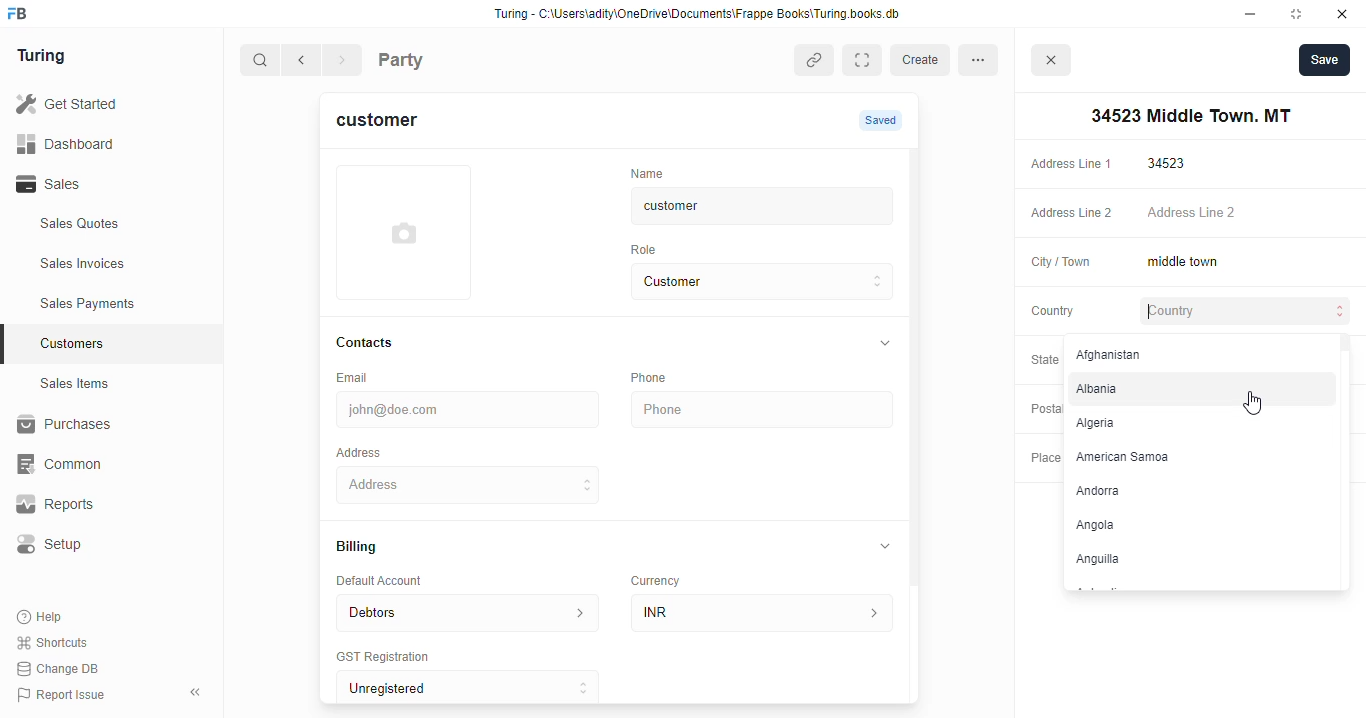 The width and height of the screenshot is (1366, 718). Describe the element at coordinates (766, 612) in the screenshot. I see `INR` at that location.